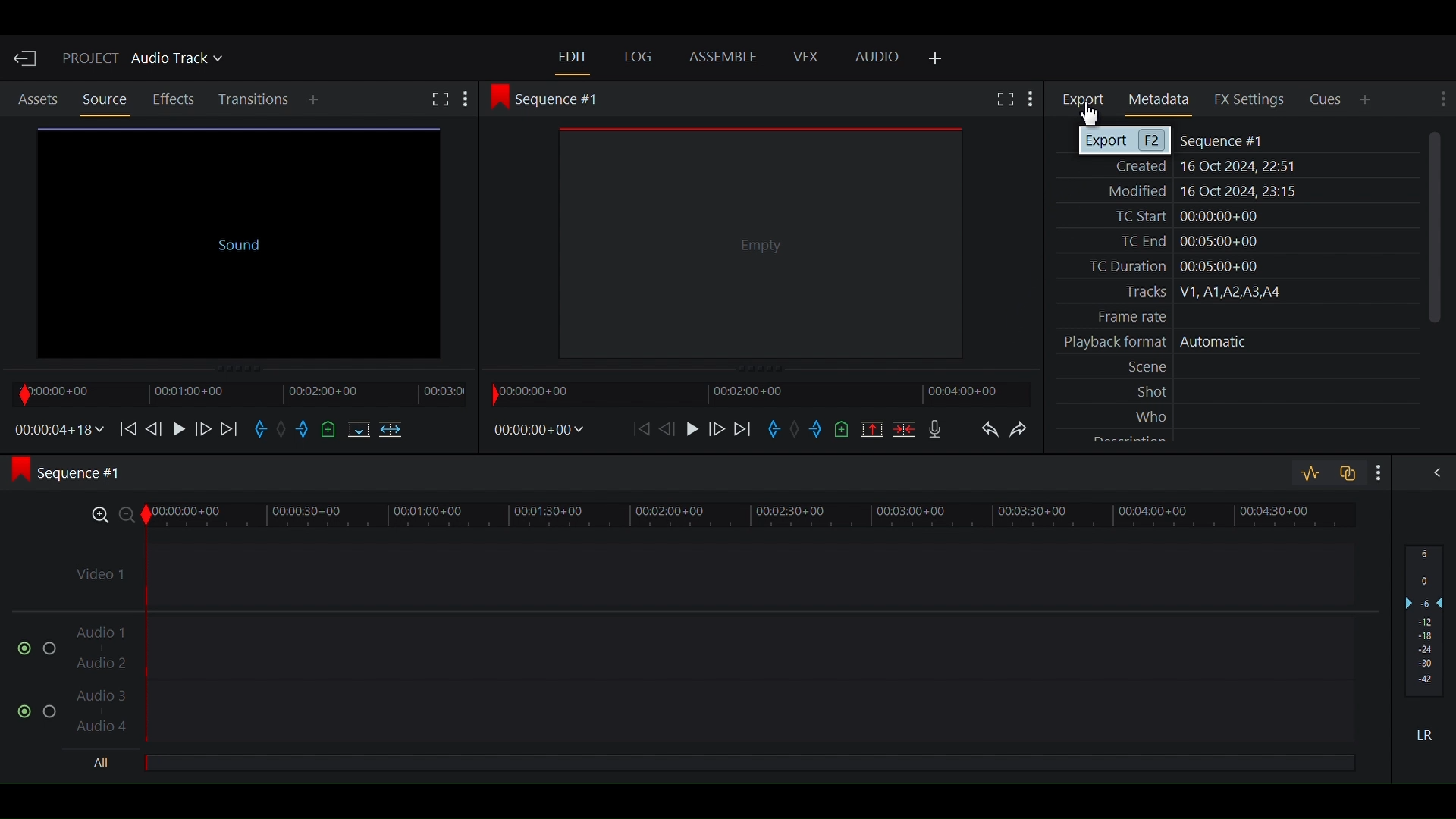 This screenshot has height=819, width=1456. I want to click on Export | F2, so click(1124, 142).